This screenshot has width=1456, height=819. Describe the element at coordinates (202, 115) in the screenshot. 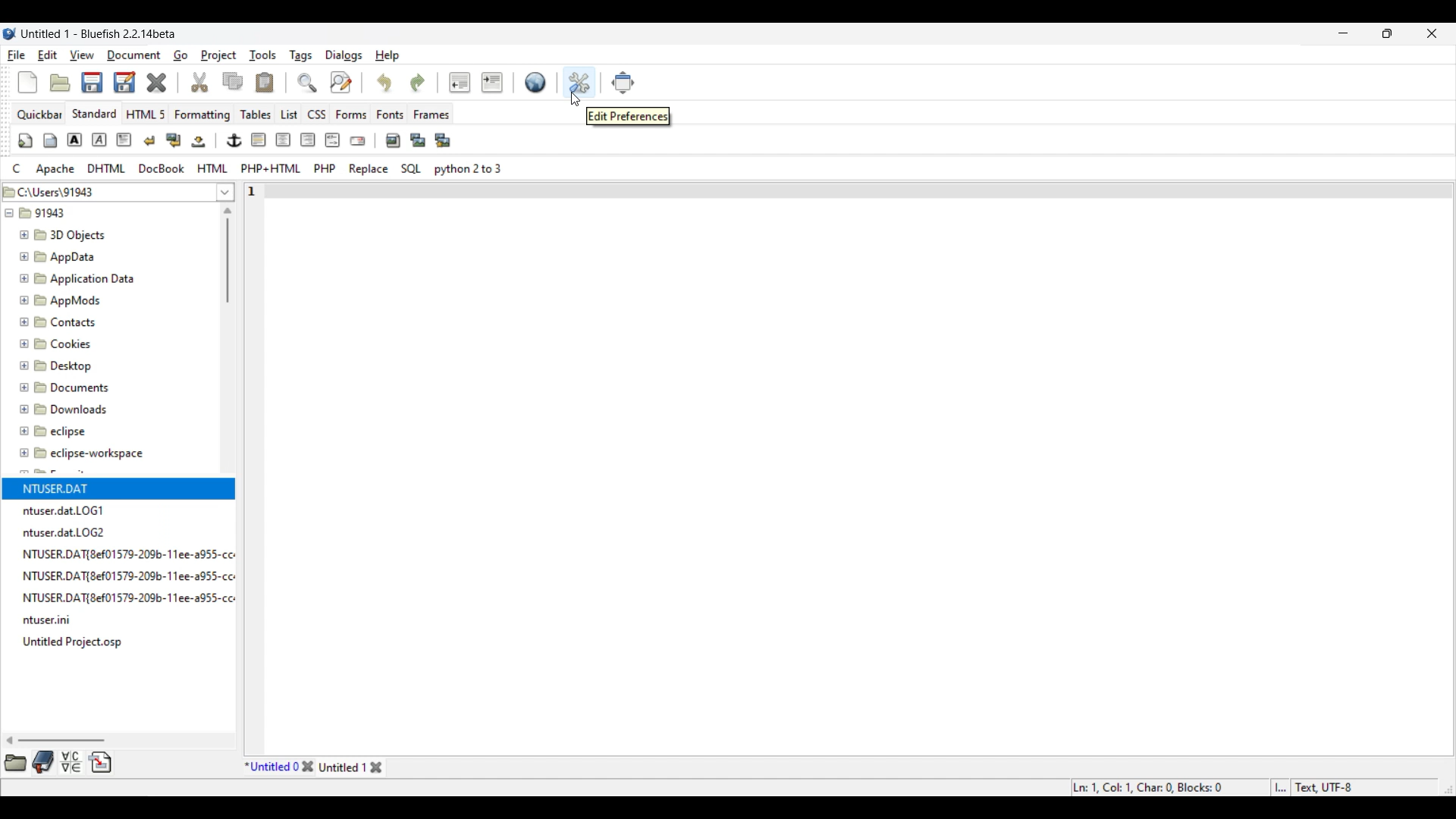

I see `Formatting` at that location.